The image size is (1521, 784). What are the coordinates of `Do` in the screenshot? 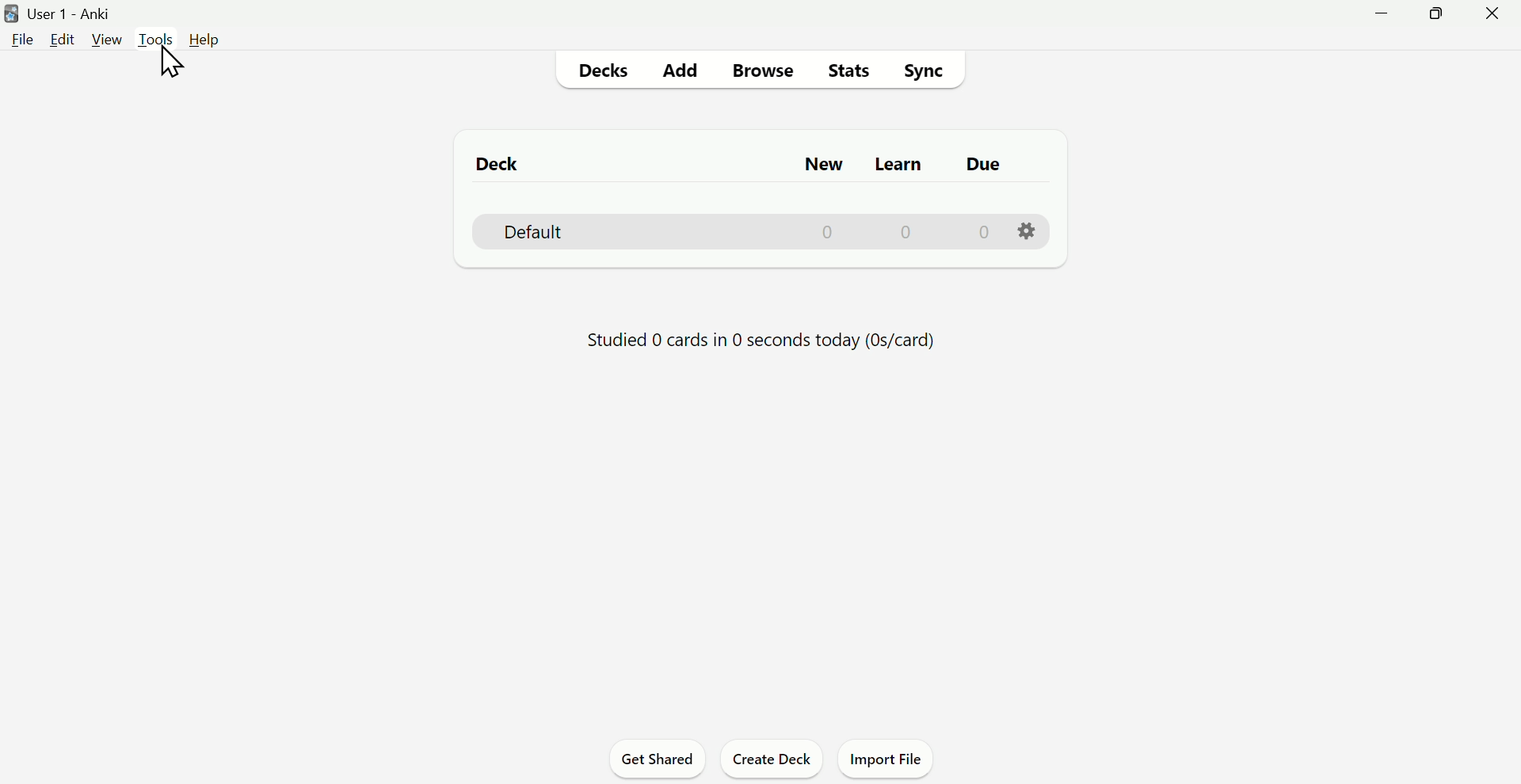 It's located at (985, 166).